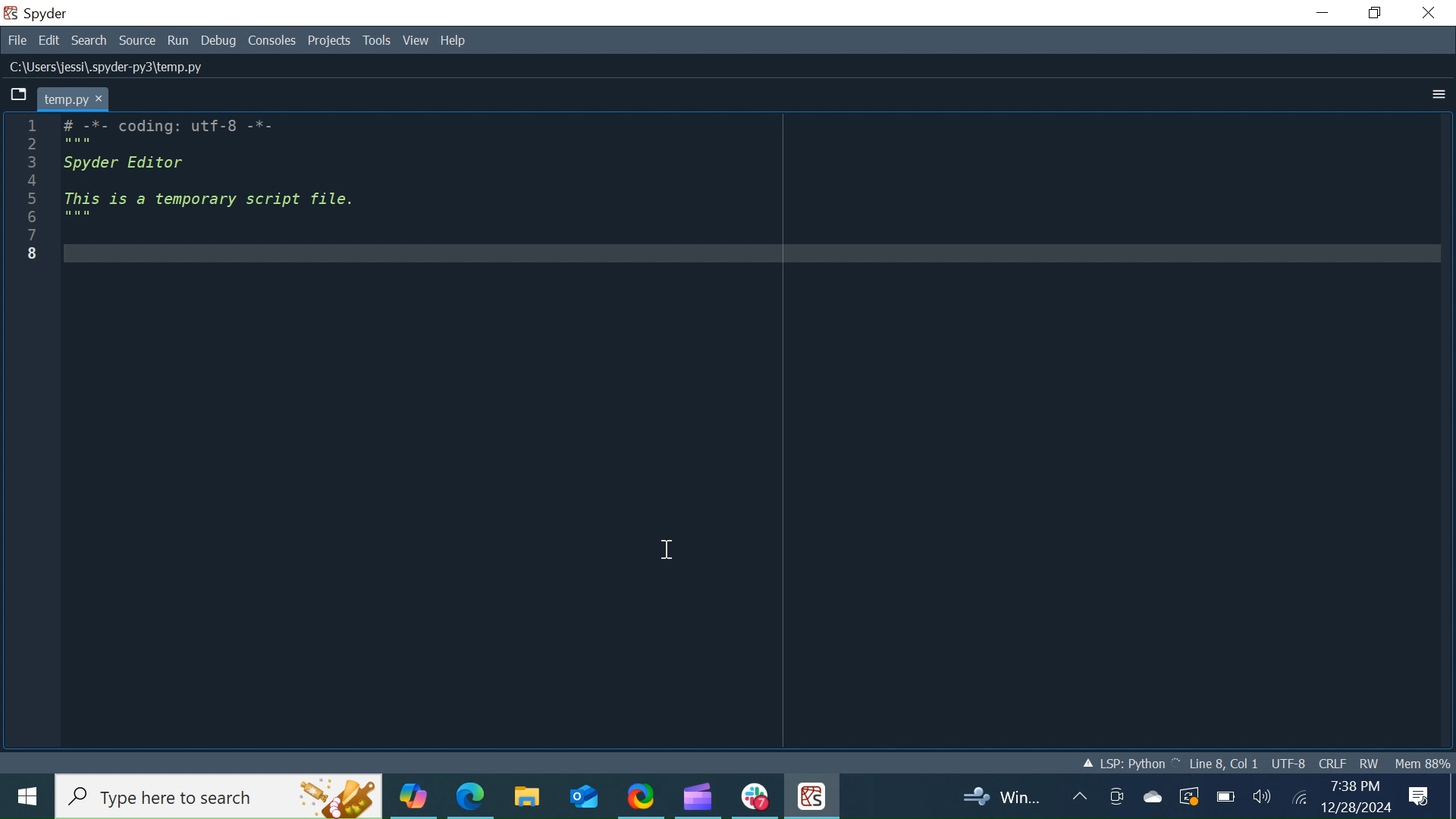 This screenshot has height=819, width=1456. Describe the element at coordinates (20, 95) in the screenshot. I see `Browse tab` at that location.